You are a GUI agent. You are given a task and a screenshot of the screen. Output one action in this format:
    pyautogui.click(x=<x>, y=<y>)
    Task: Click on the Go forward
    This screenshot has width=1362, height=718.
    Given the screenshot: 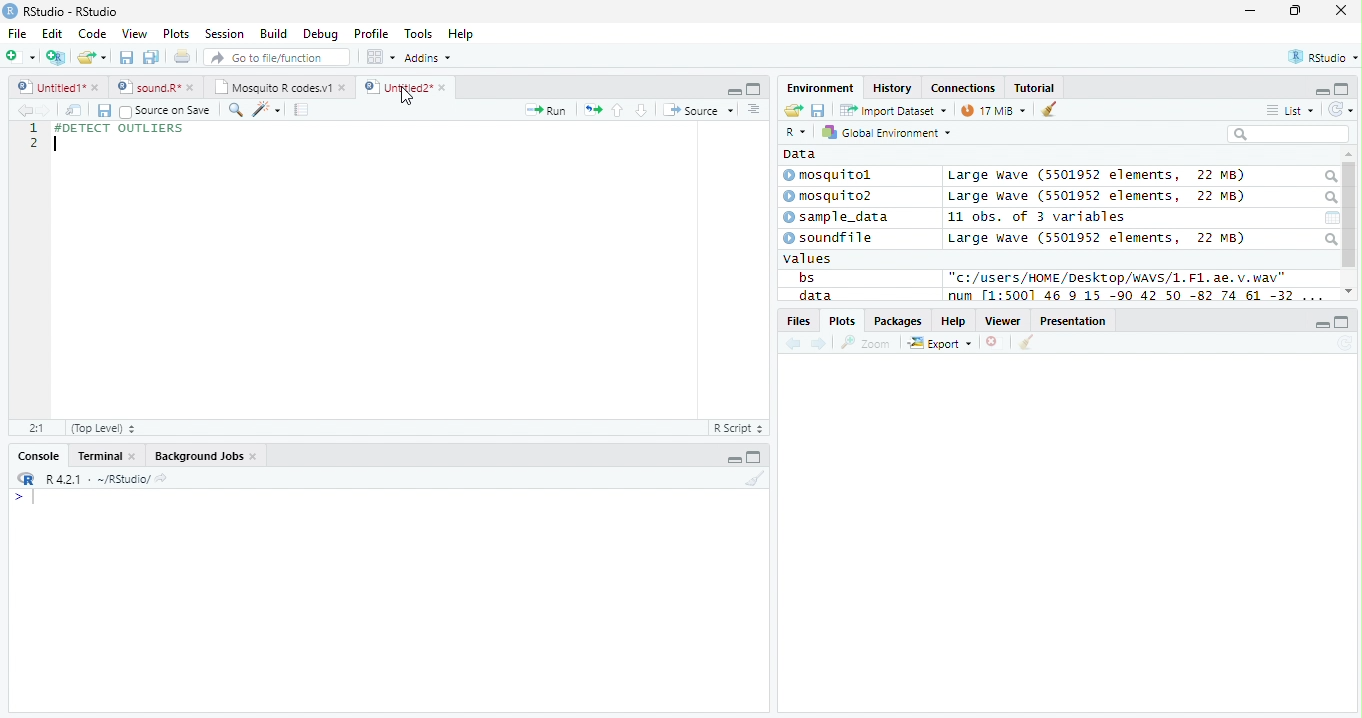 What is the action you would take?
    pyautogui.click(x=44, y=110)
    